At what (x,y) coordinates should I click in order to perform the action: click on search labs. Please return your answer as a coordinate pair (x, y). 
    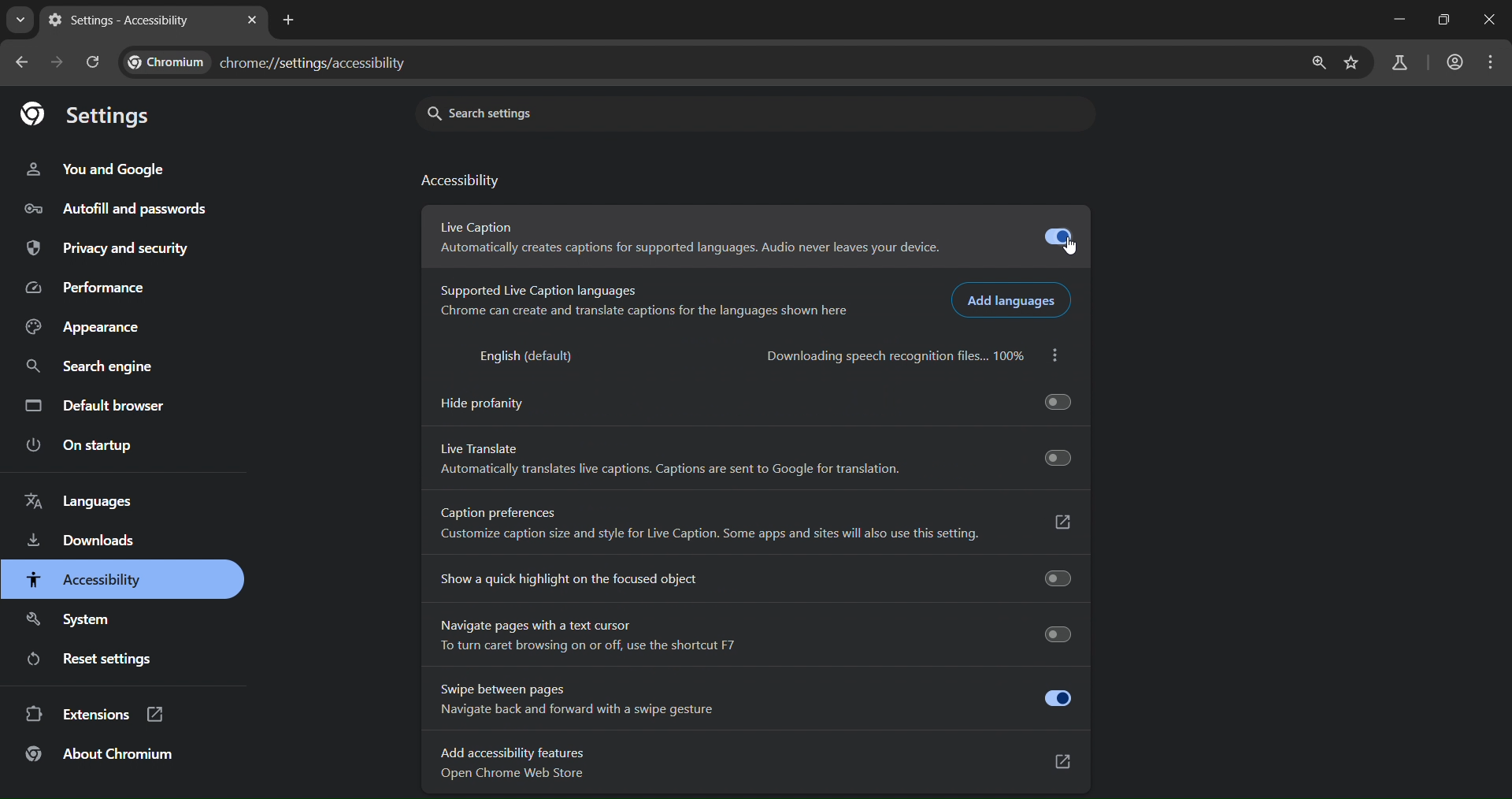
    Looking at the image, I should click on (1403, 65).